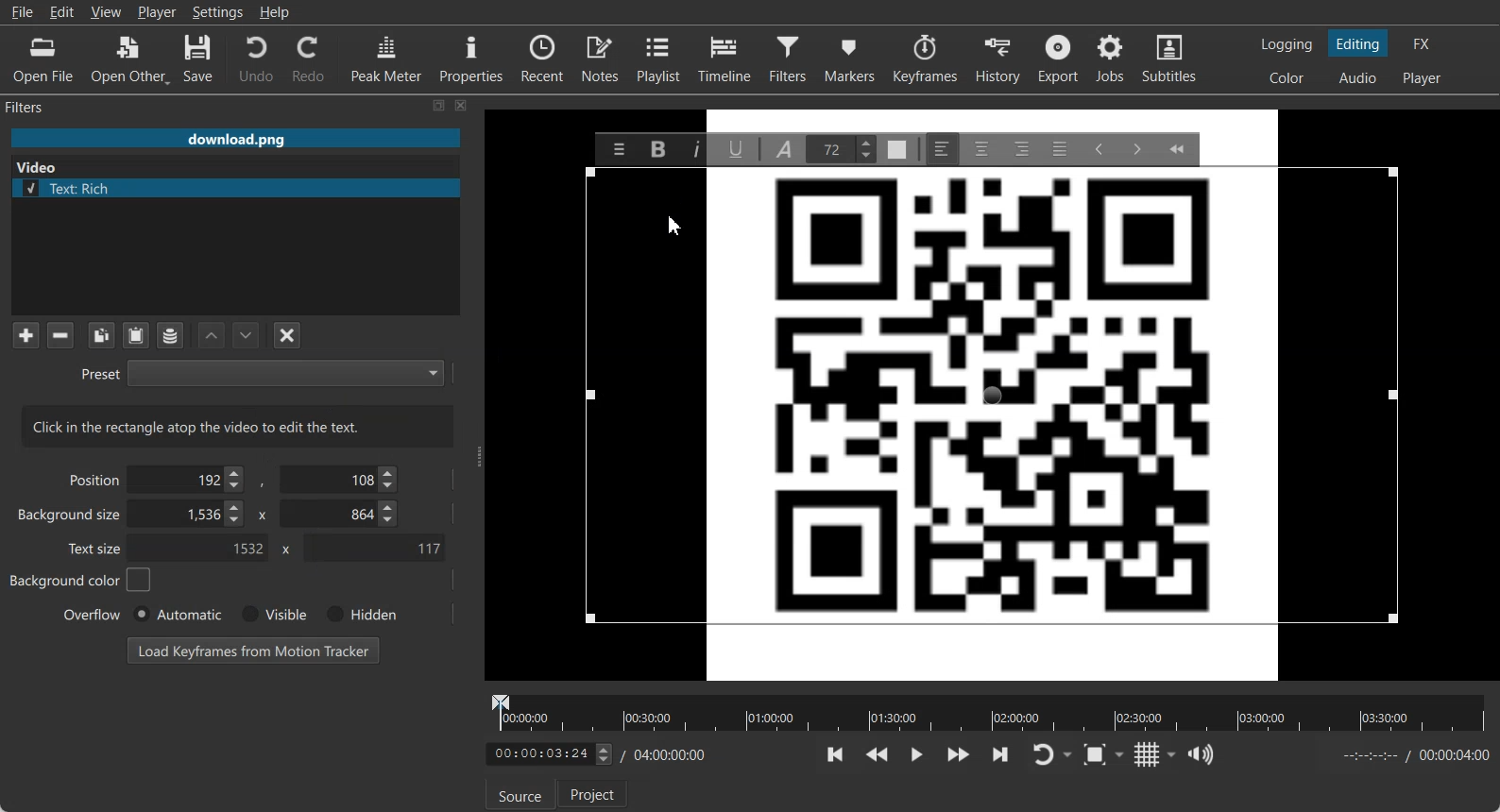 This screenshot has height=812, width=1500. I want to click on Overflow, so click(93, 614).